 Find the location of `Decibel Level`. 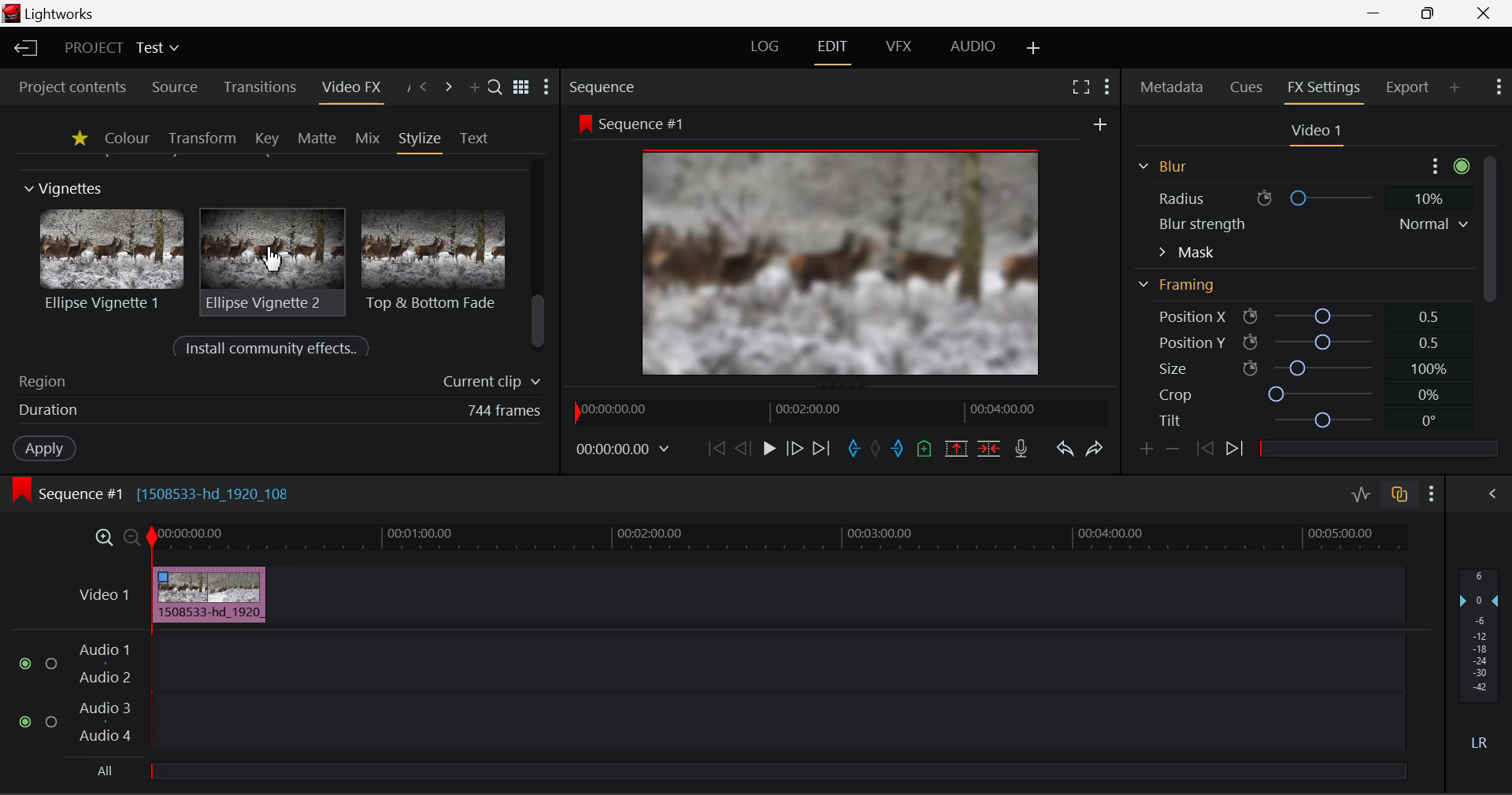

Decibel Level is located at coordinates (1480, 664).